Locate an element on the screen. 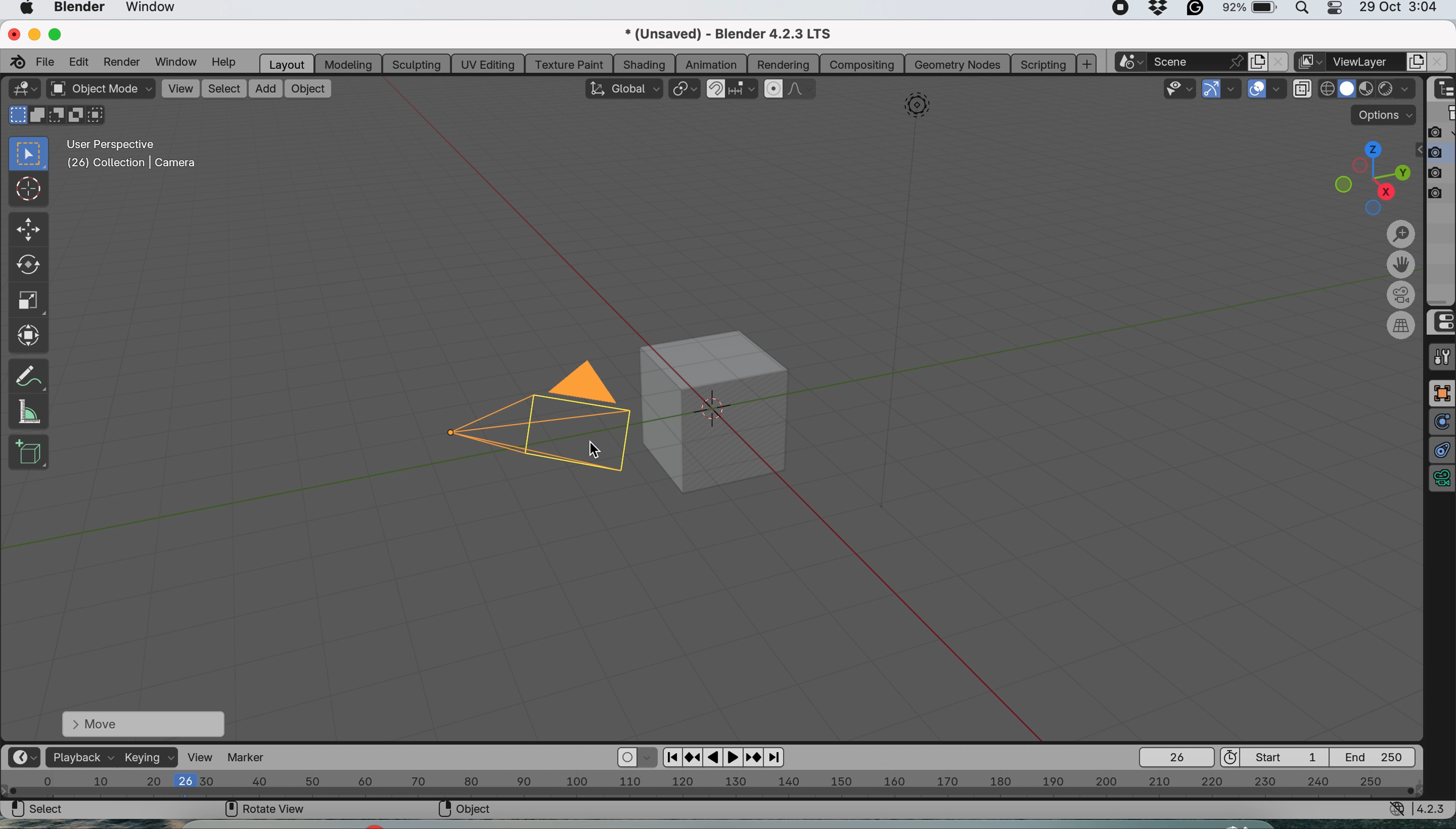 This screenshot has height=829, width=1456. add layer is located at coordinates (1417, 61).